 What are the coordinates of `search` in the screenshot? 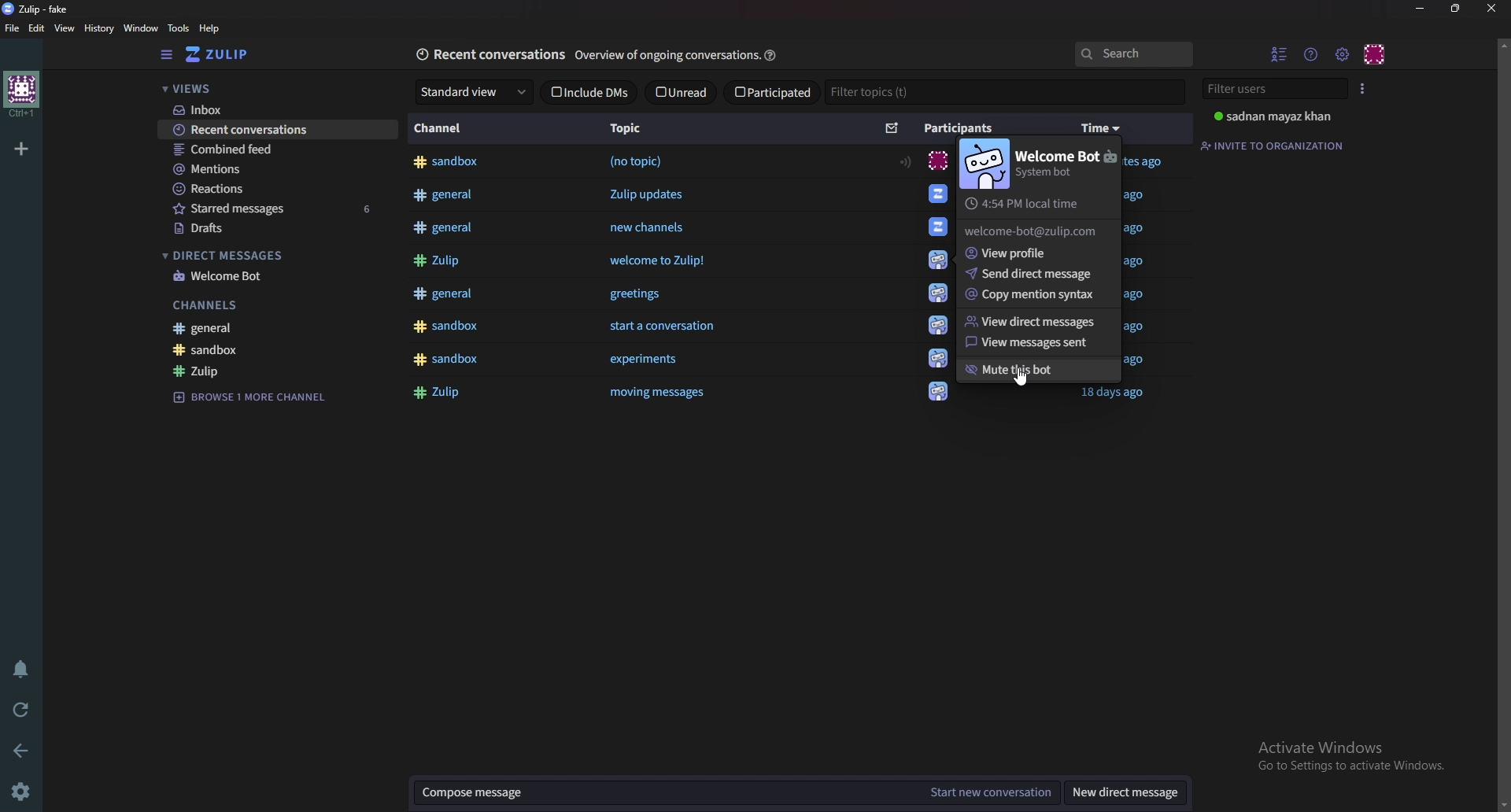 It's located at (1133, 54).